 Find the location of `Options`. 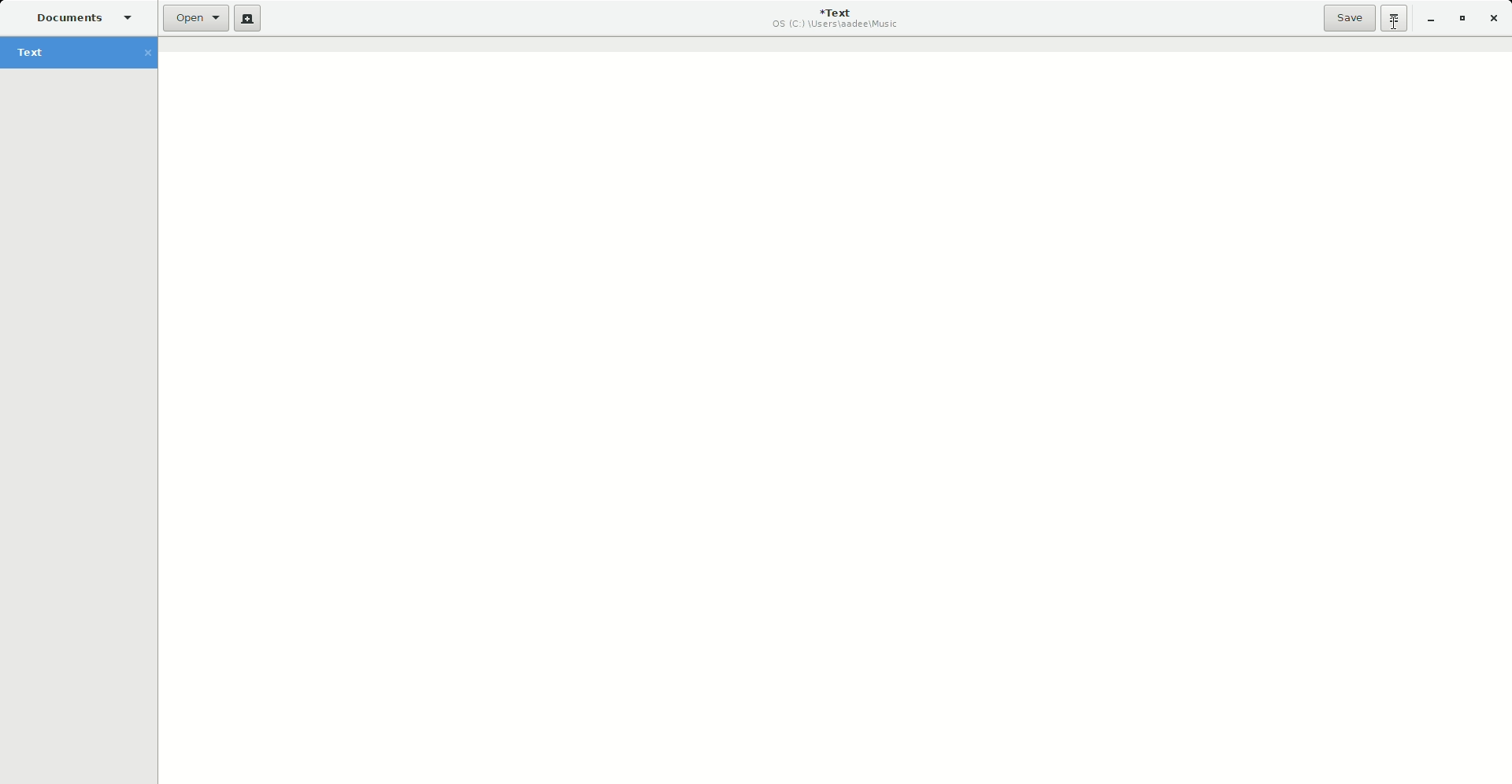

Options is located at coordinates (1395, 18).